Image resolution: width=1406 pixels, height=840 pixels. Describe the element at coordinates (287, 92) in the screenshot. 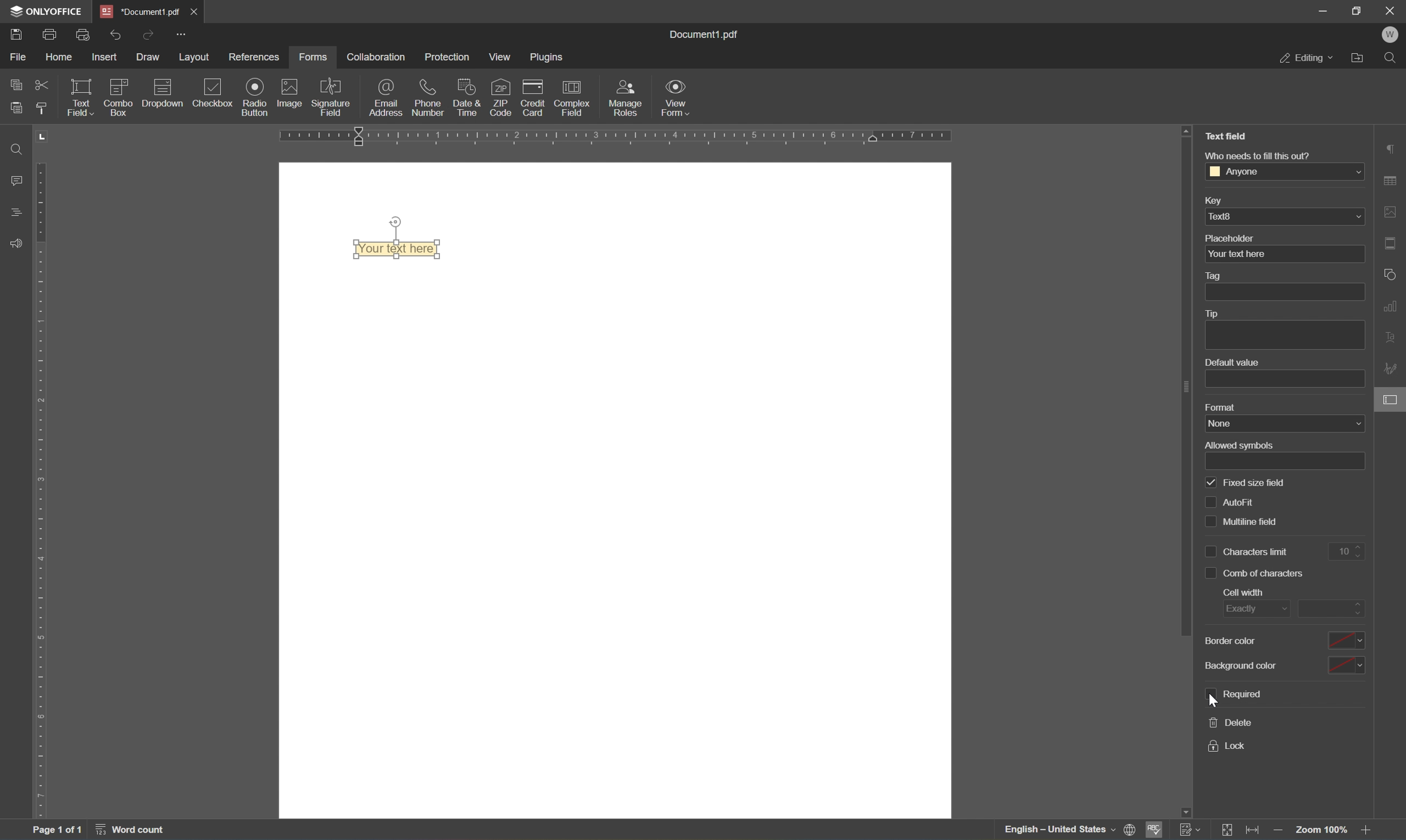

I see `image` at that location.